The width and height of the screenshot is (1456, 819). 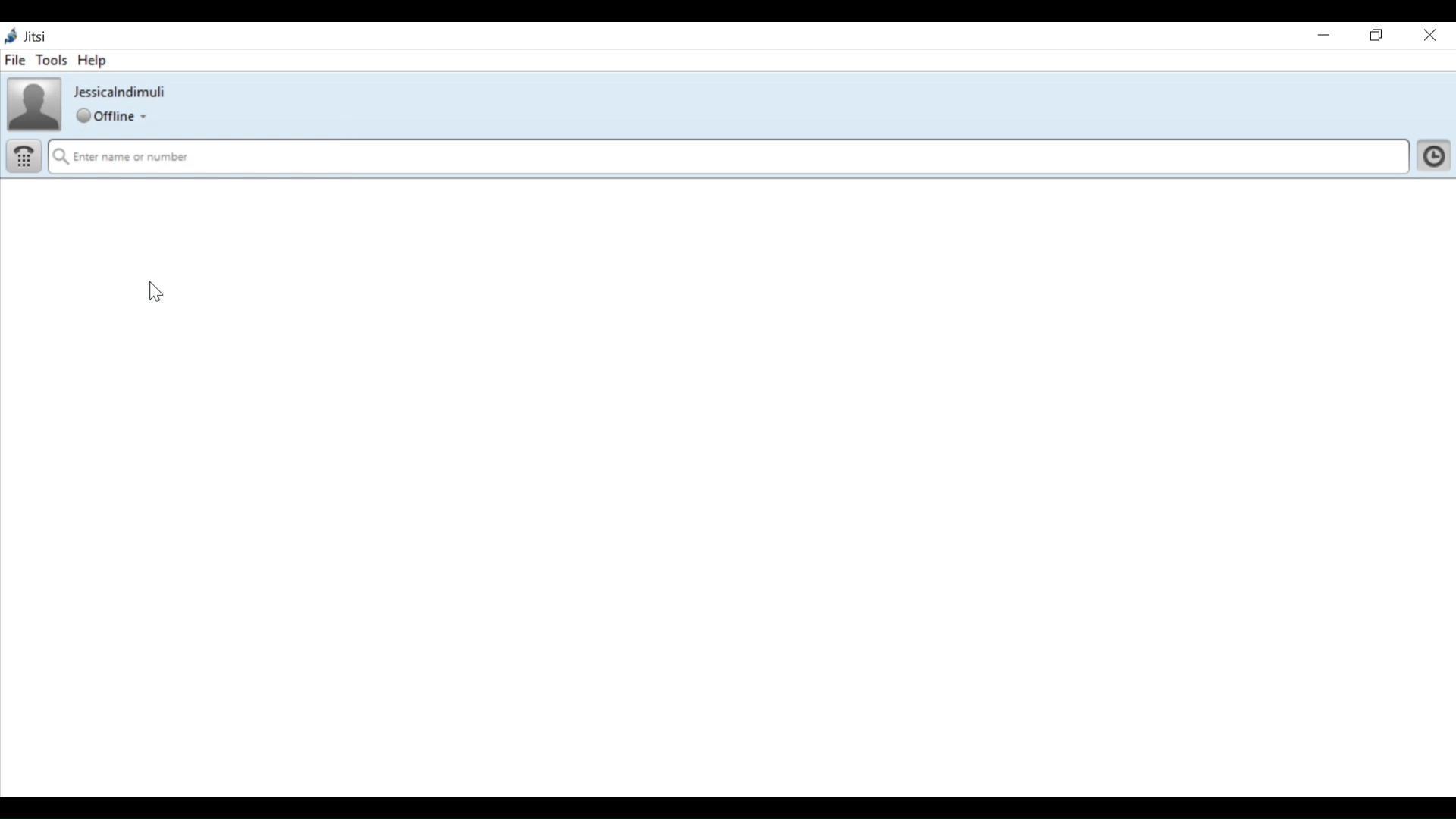 What do you see at coordinates (1325, 36) in the screenshot?
I see `Minimize` at bounding box center [1325, 36].